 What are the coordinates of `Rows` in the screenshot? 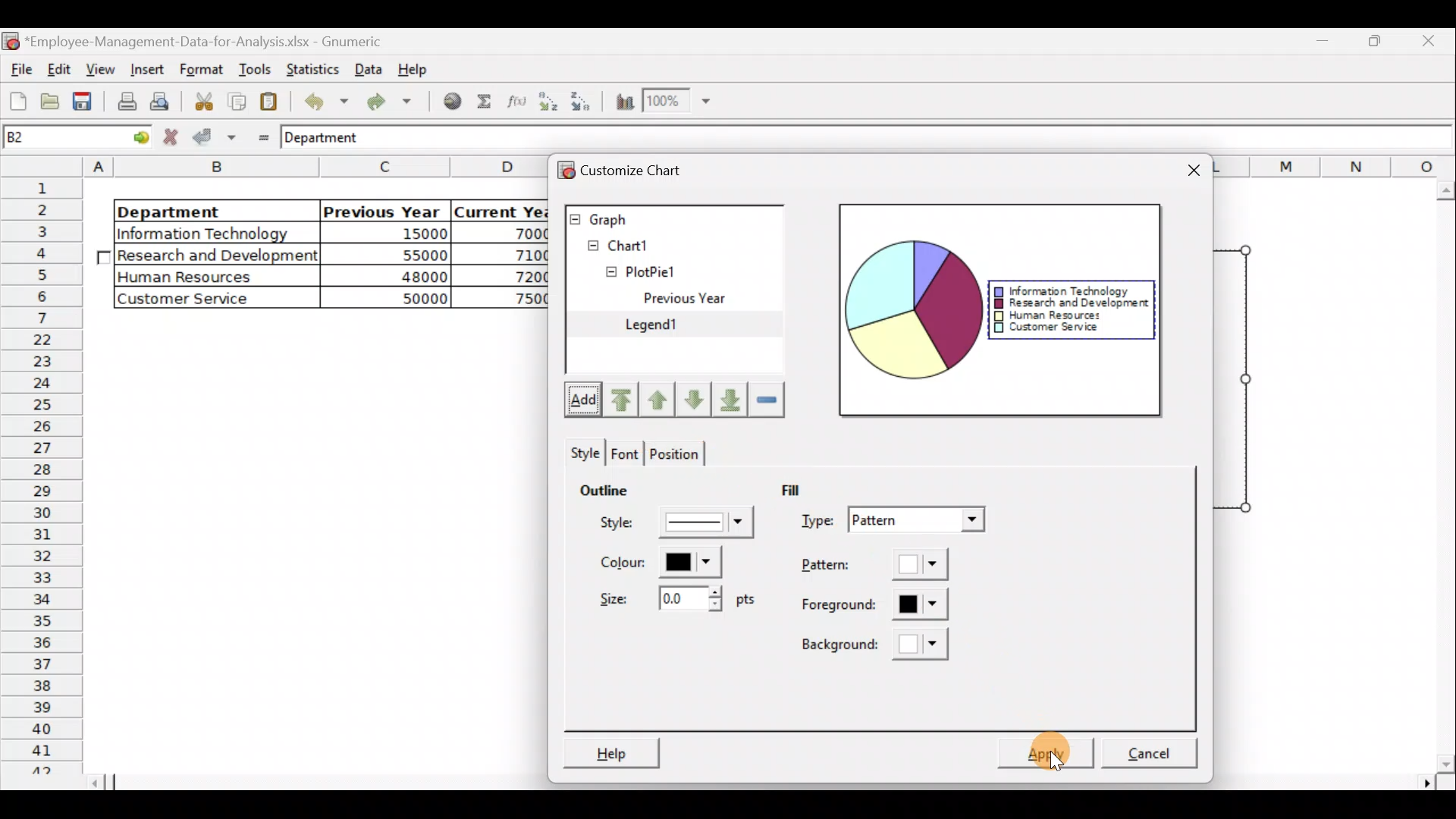 It's located at (45, 475).